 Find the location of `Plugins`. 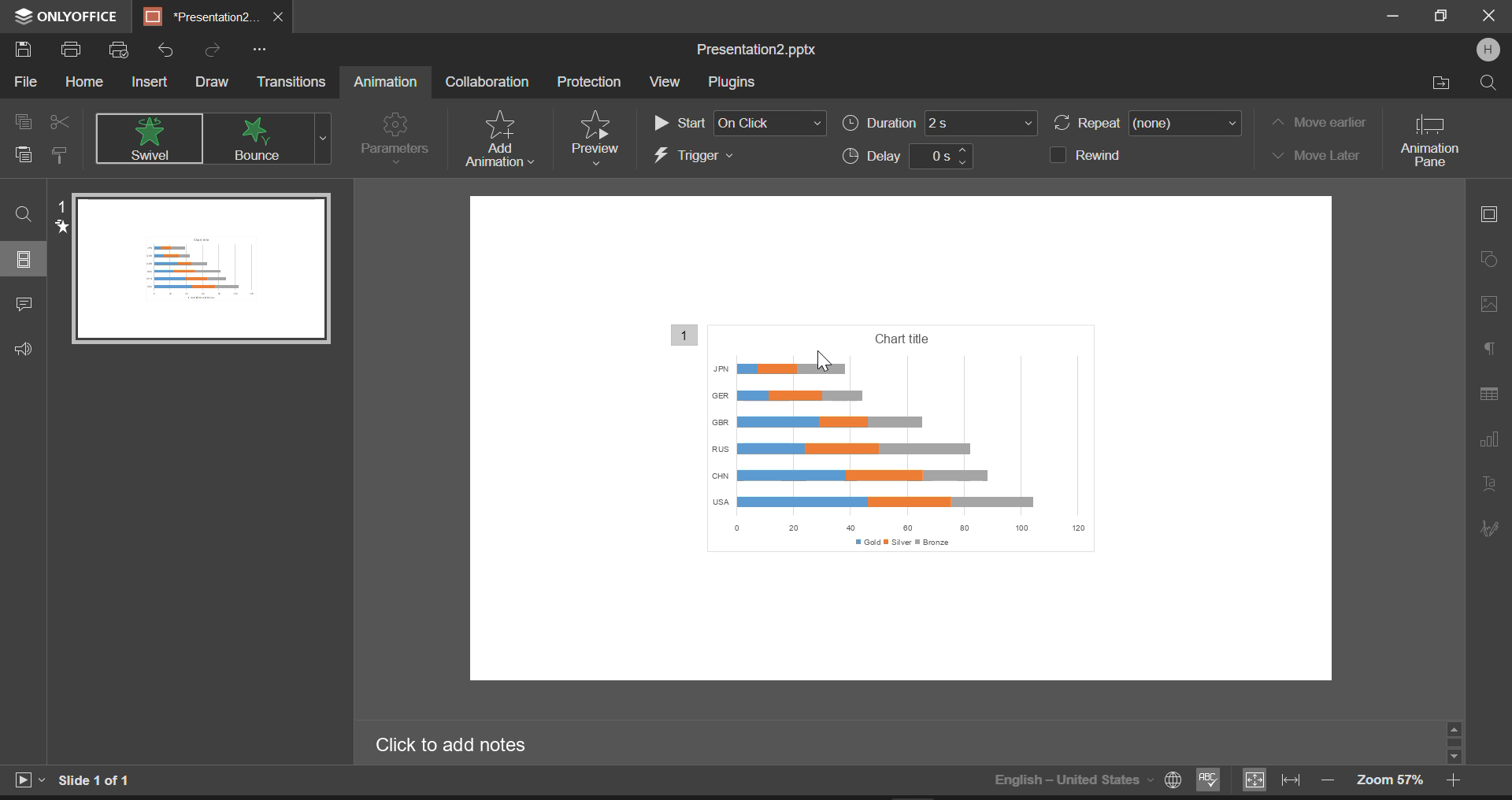

Plugins is located at coordinates (731, 83).